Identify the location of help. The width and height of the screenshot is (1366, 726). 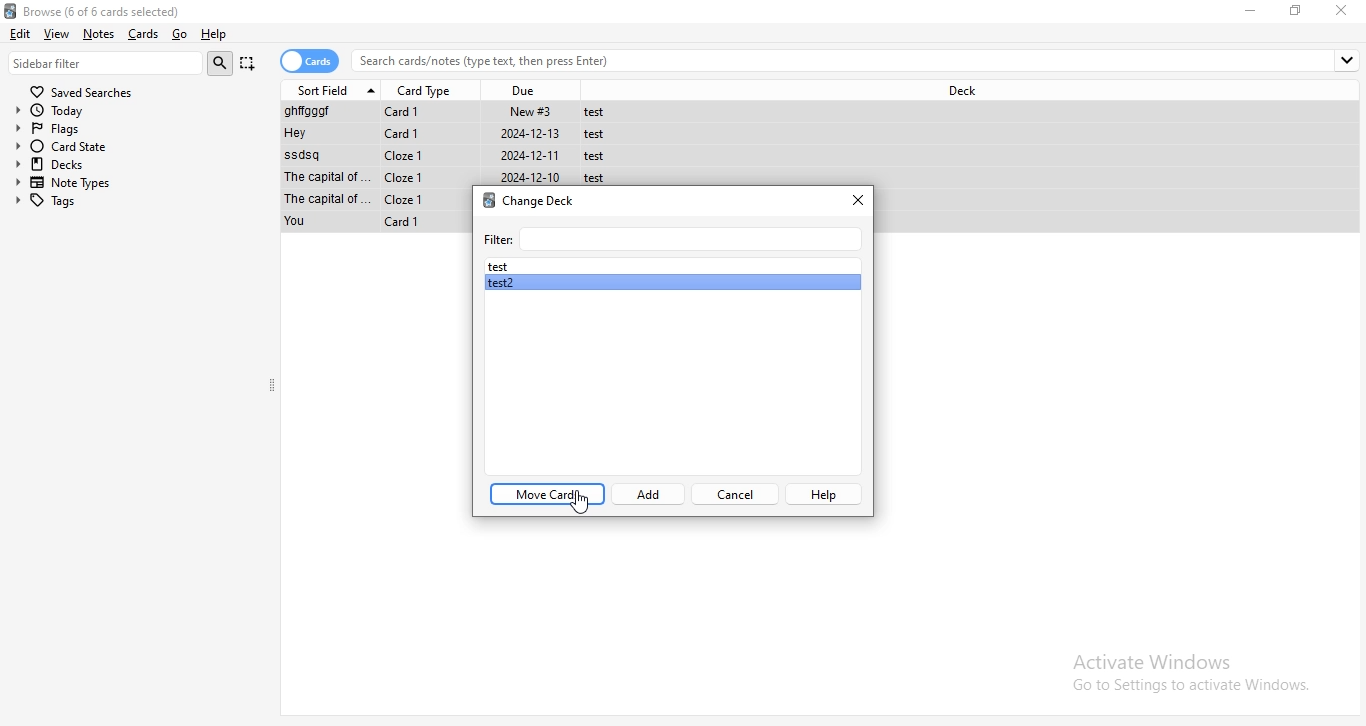
(219, 36).